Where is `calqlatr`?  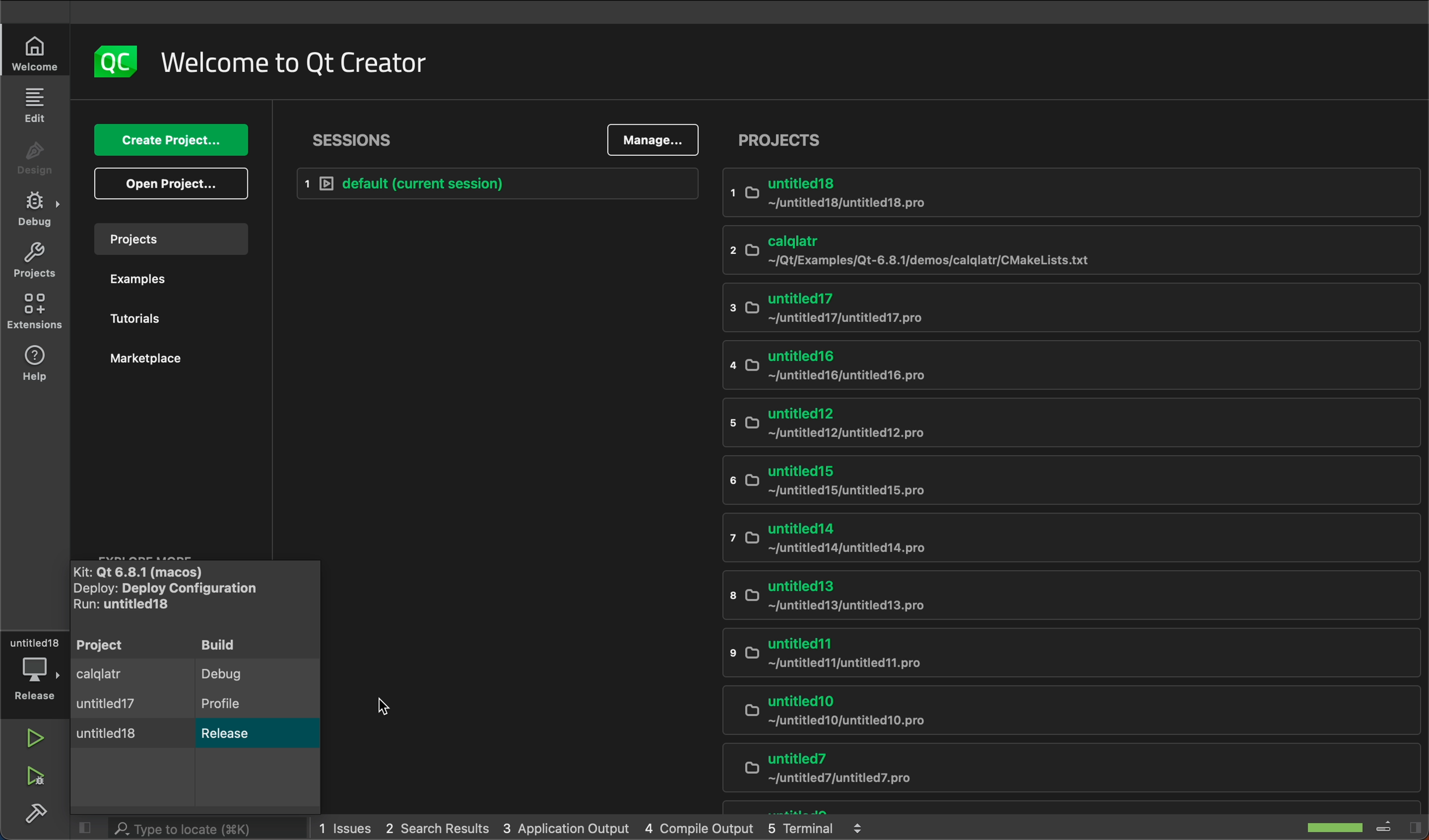
calqlatr is located at coordinates (992, 250).